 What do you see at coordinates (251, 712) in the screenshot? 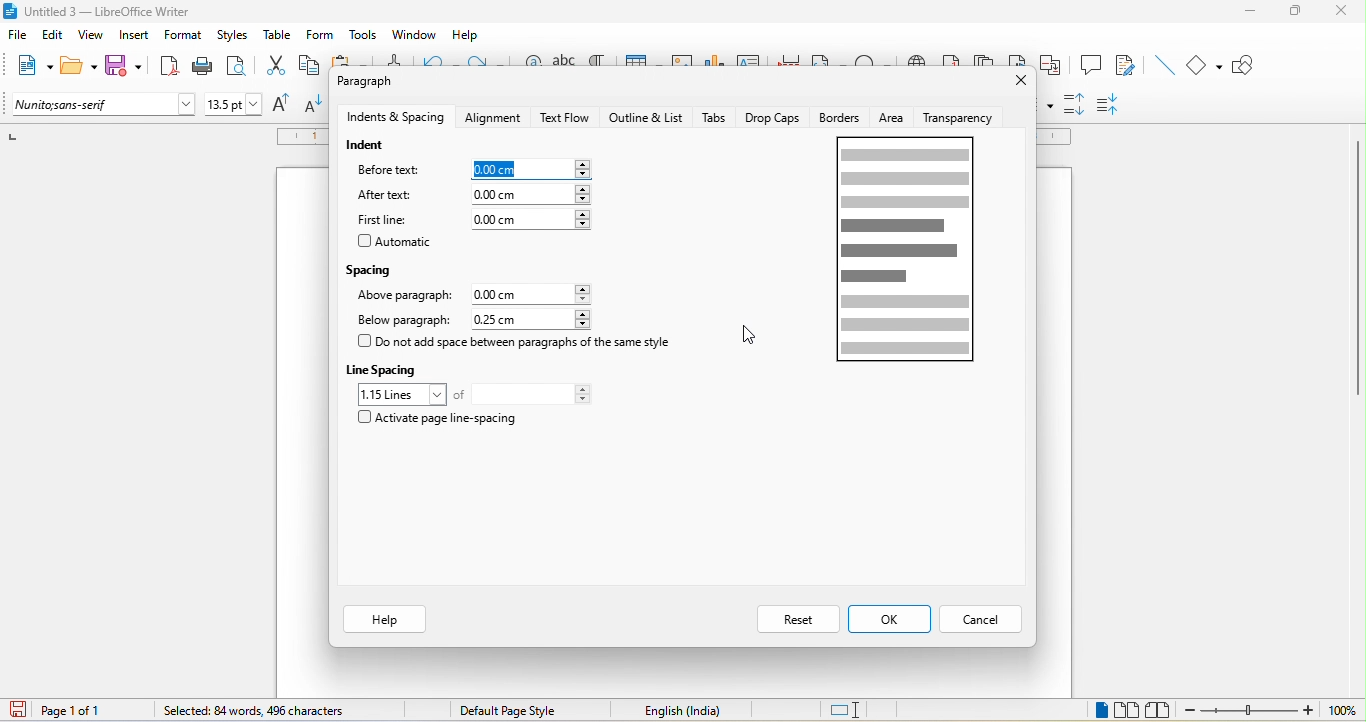
I see `84 words, 496 characters` at bounding box center [251, 712].